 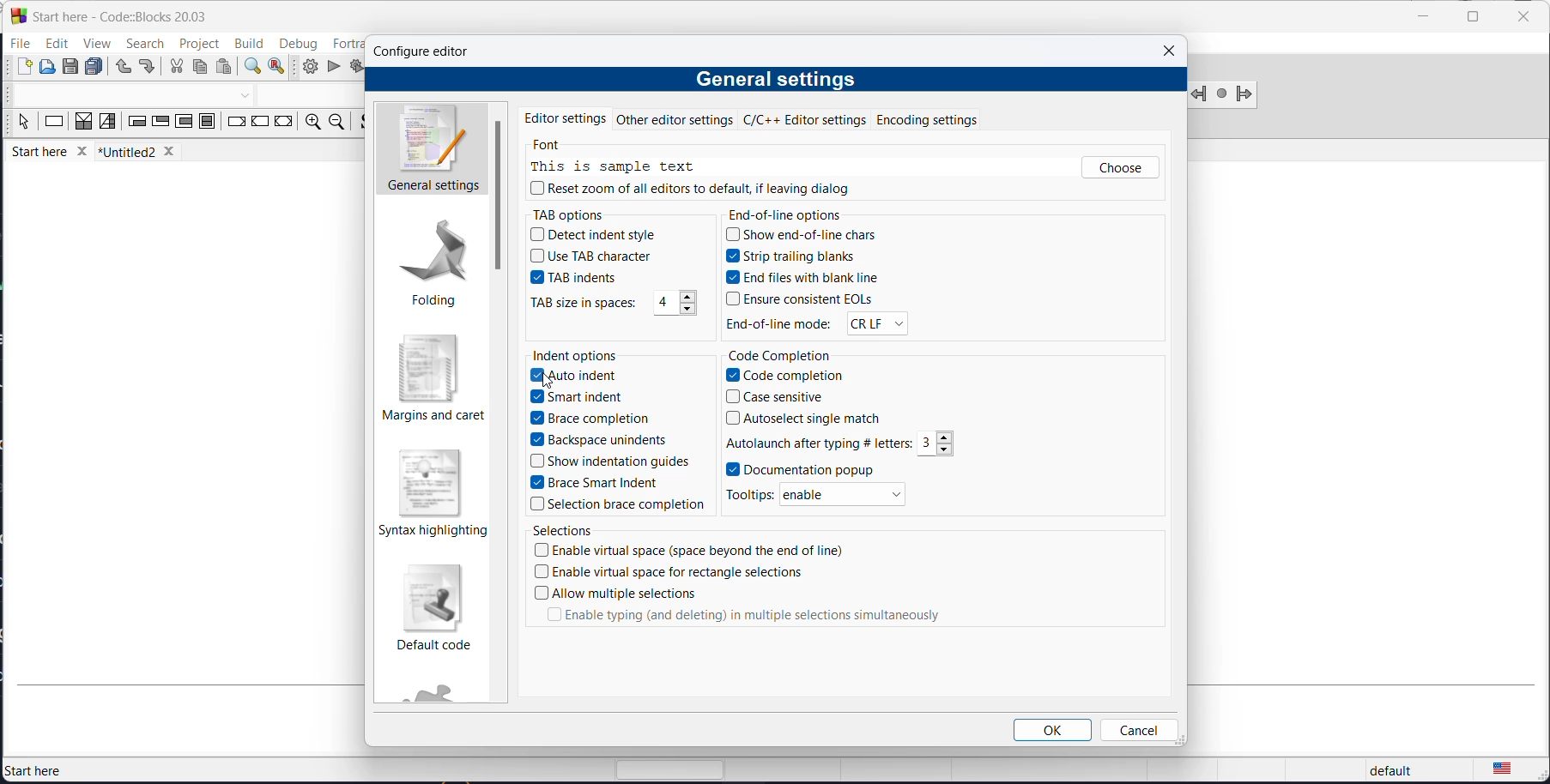 I want to click on next jump, so click(x=1220, y=96).